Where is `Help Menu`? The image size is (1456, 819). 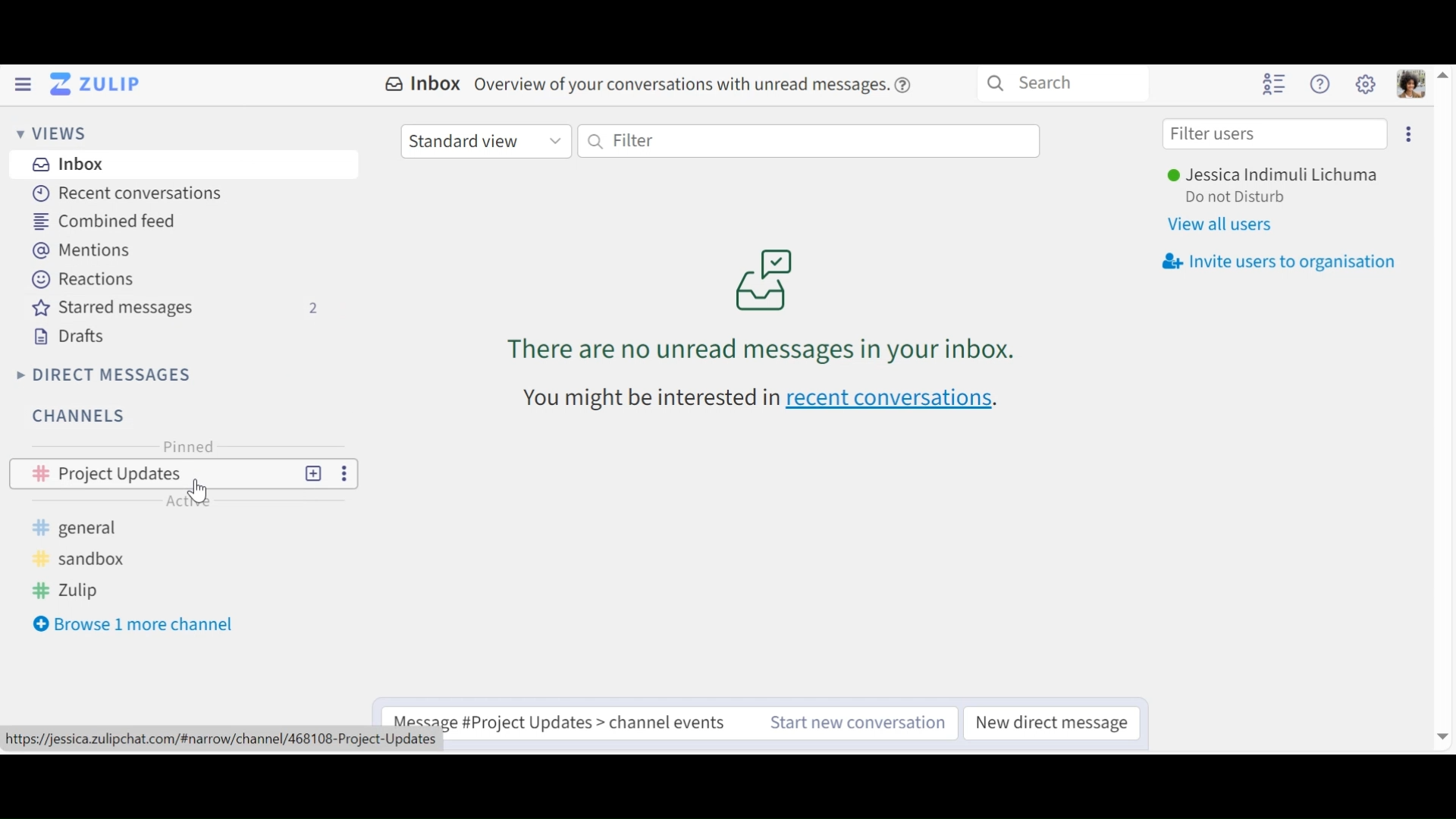 Help Menu is located at coordinates (1322, 84).